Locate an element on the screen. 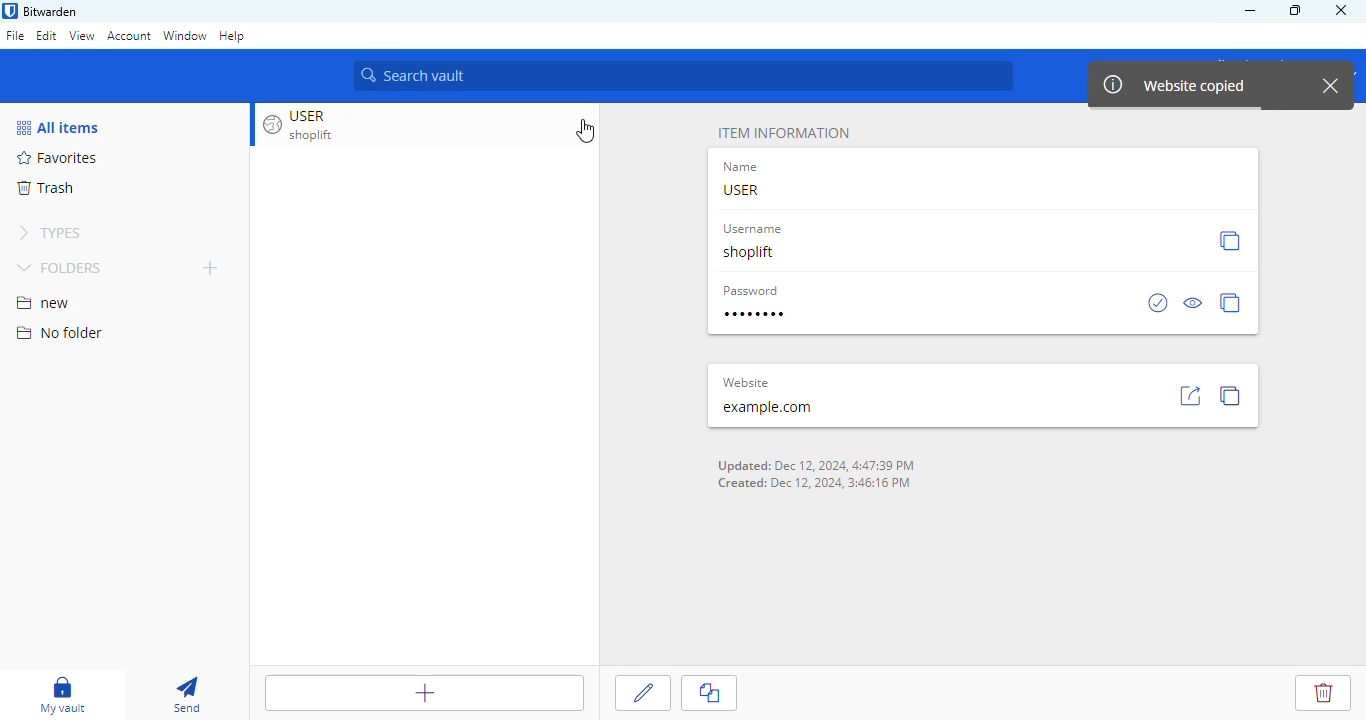 The image size is (1366, 720). clone is located at coordinates (712, 695).